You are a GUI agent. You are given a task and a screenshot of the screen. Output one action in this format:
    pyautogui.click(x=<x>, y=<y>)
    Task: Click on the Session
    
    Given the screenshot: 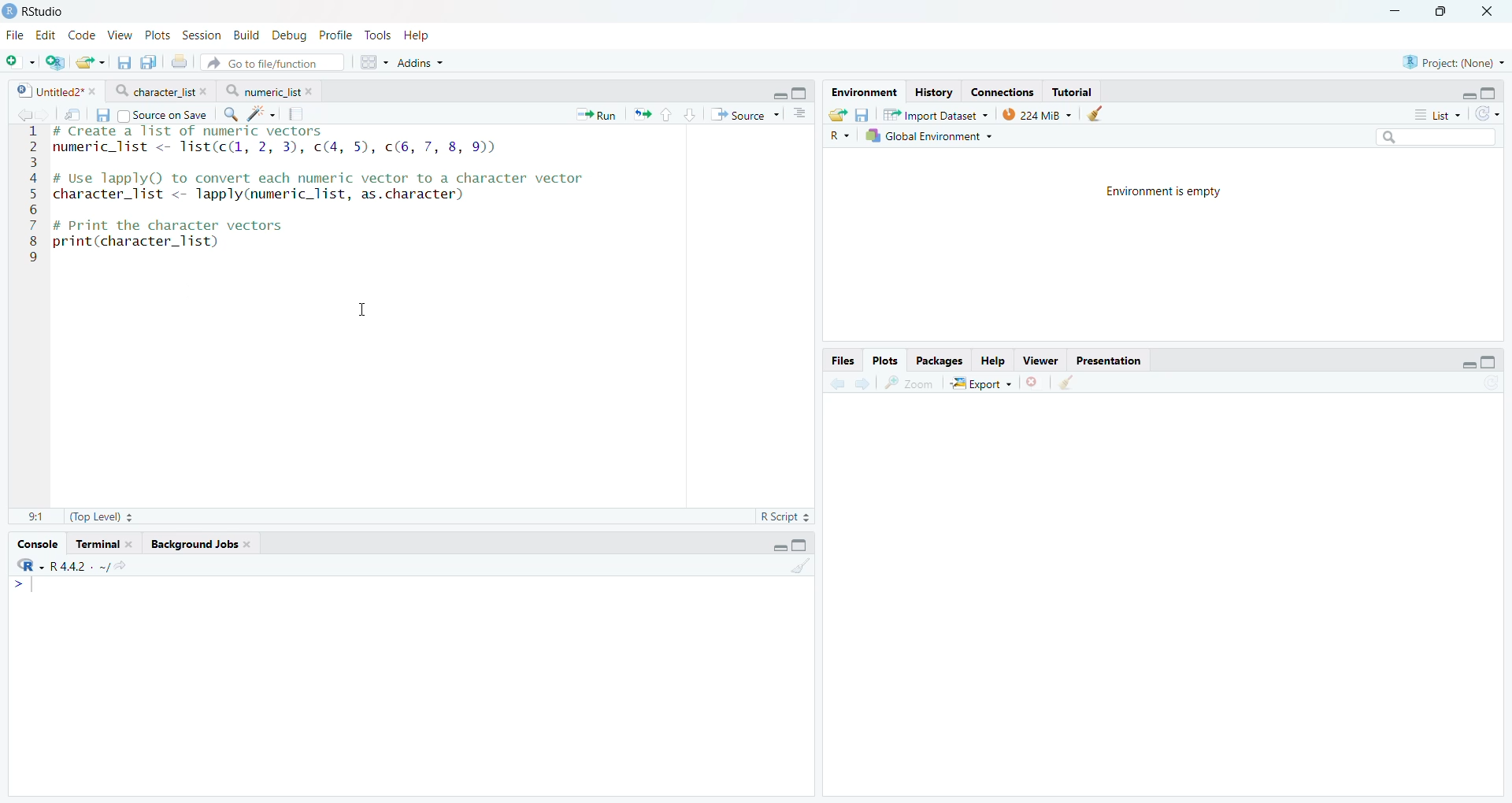 What is the action you would take?
    pyautogui.click(x=204, y=35)
    